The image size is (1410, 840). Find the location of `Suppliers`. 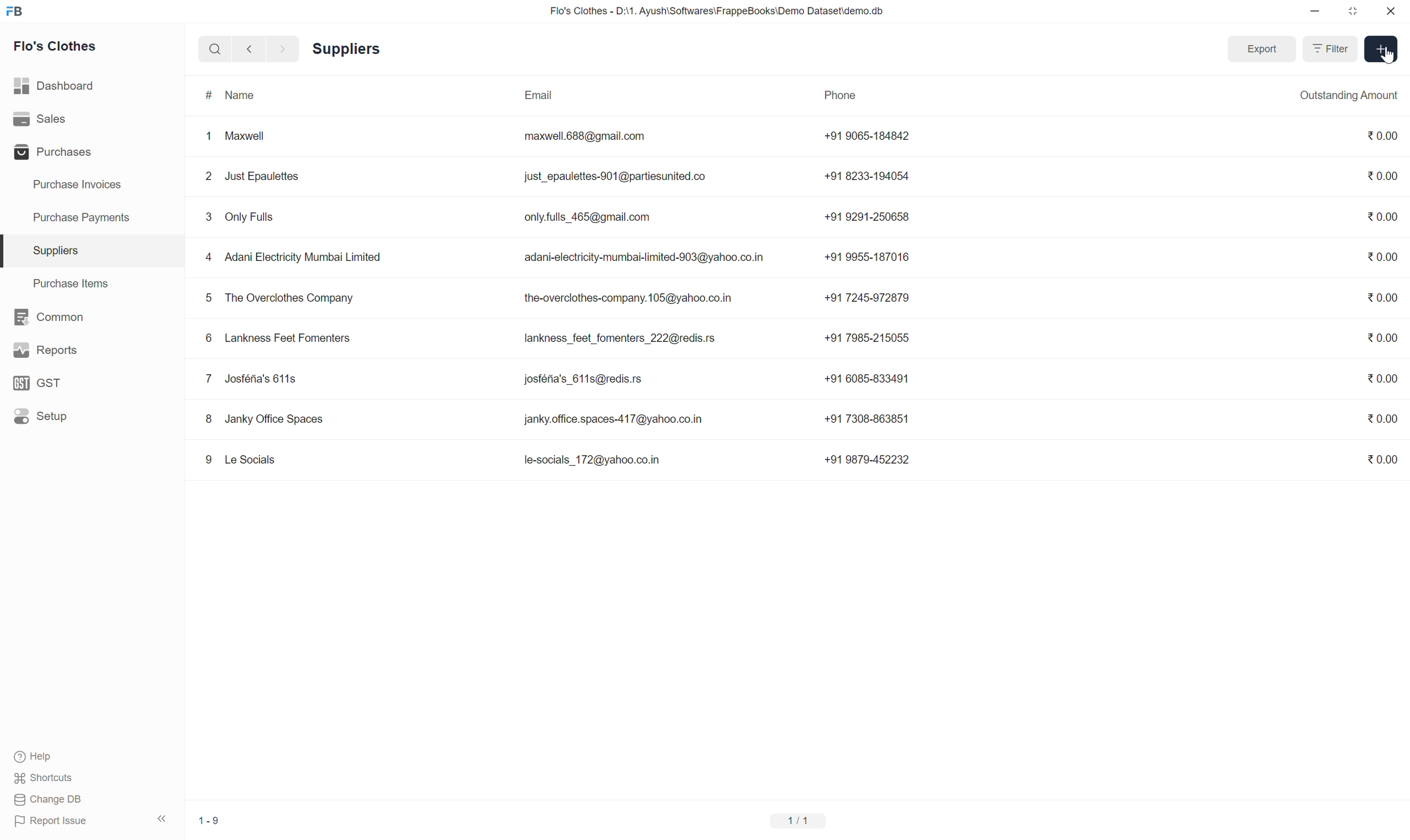

Suppliers is located at coordinates (347, 49).